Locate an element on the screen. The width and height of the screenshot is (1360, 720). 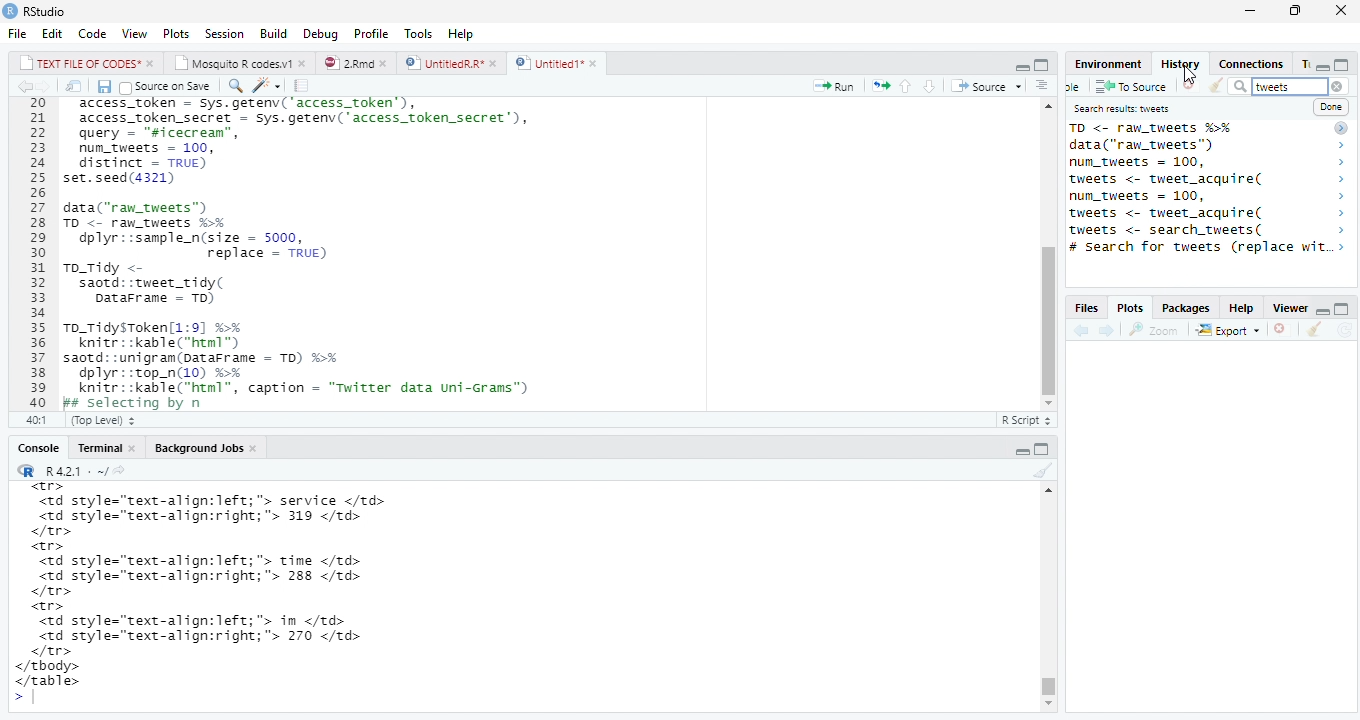
Build is located at coordinates (272, 32).